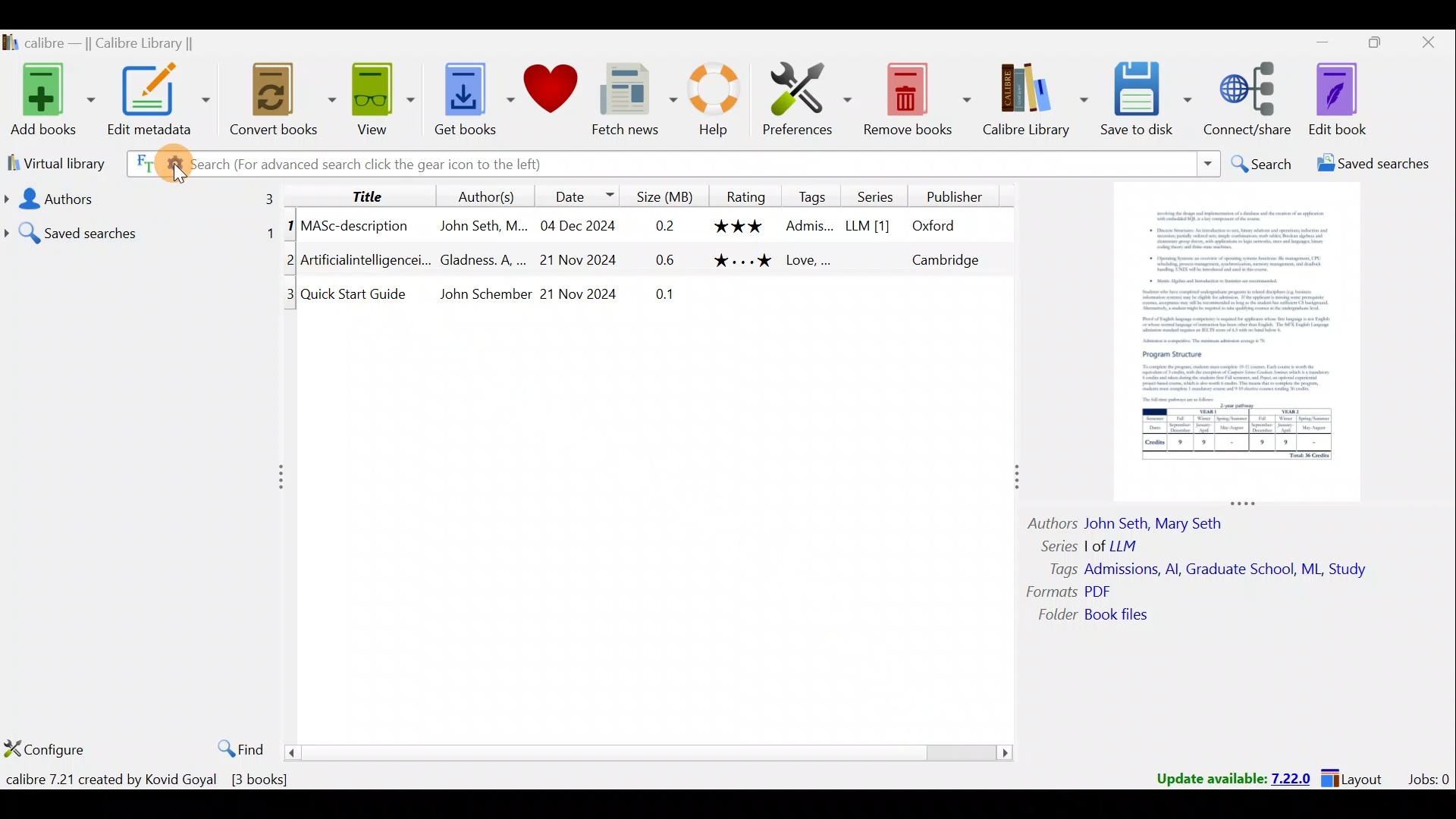  I want to click on Virtual library, so click(52, 162).